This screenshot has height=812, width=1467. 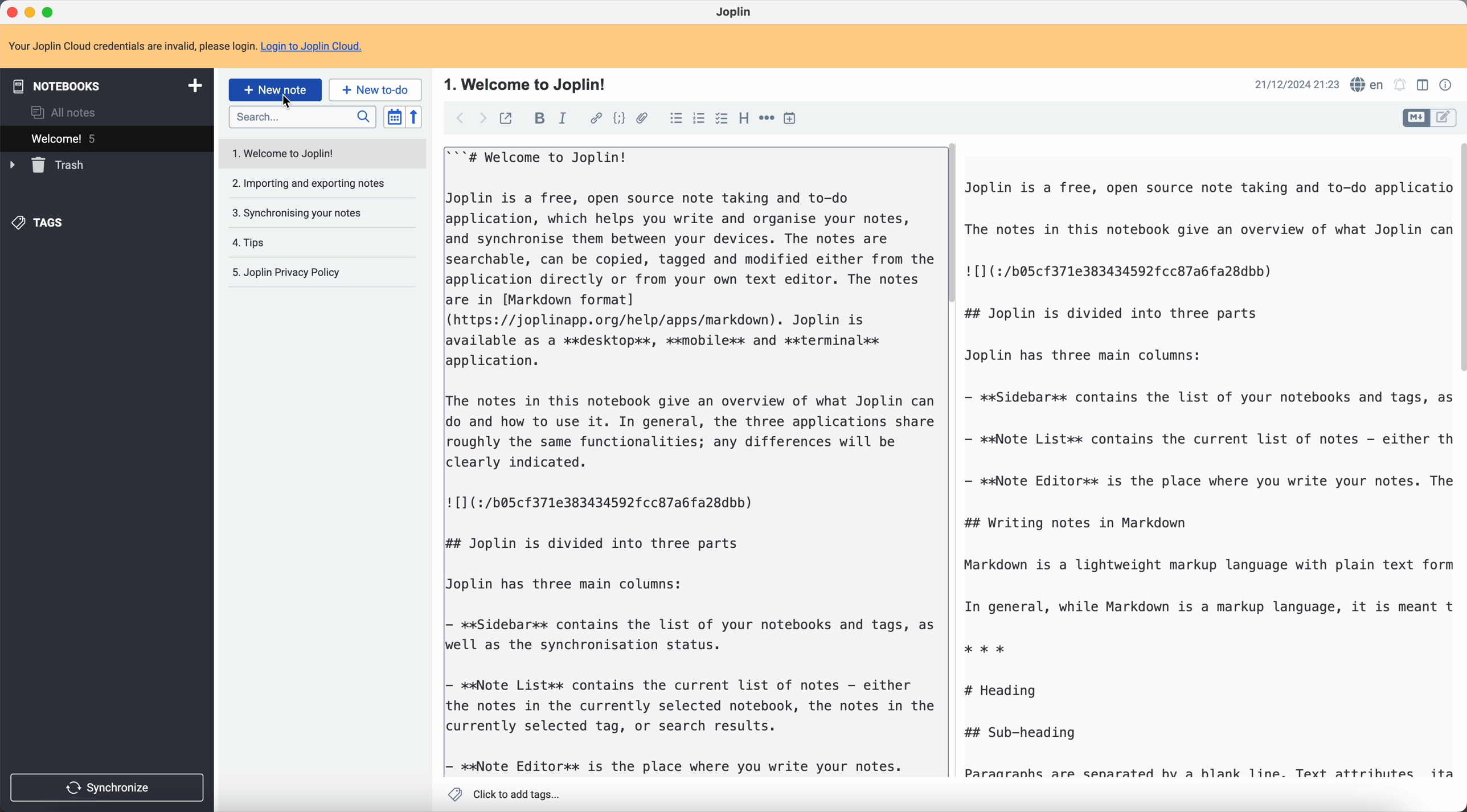 What do you see at coordinates (789, 118) in the screenshot?
I see `insert time` at bounding box center [789, 118].